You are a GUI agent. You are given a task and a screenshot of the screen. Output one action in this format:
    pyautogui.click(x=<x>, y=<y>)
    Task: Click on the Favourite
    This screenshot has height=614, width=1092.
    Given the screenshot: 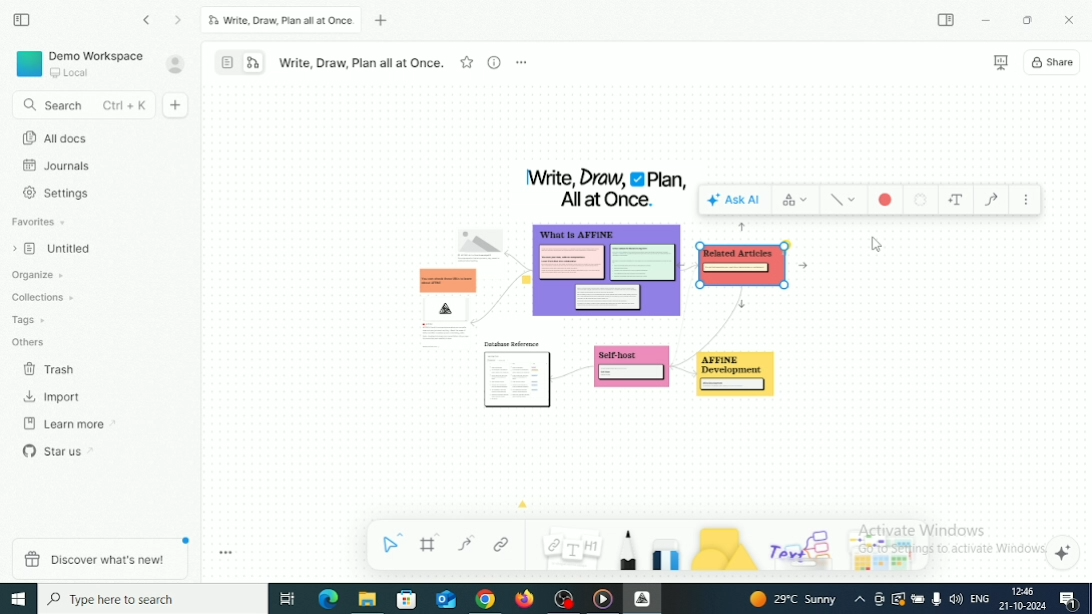 What is the action you would take?
    pyautogui.click(x=467, y=61)
    